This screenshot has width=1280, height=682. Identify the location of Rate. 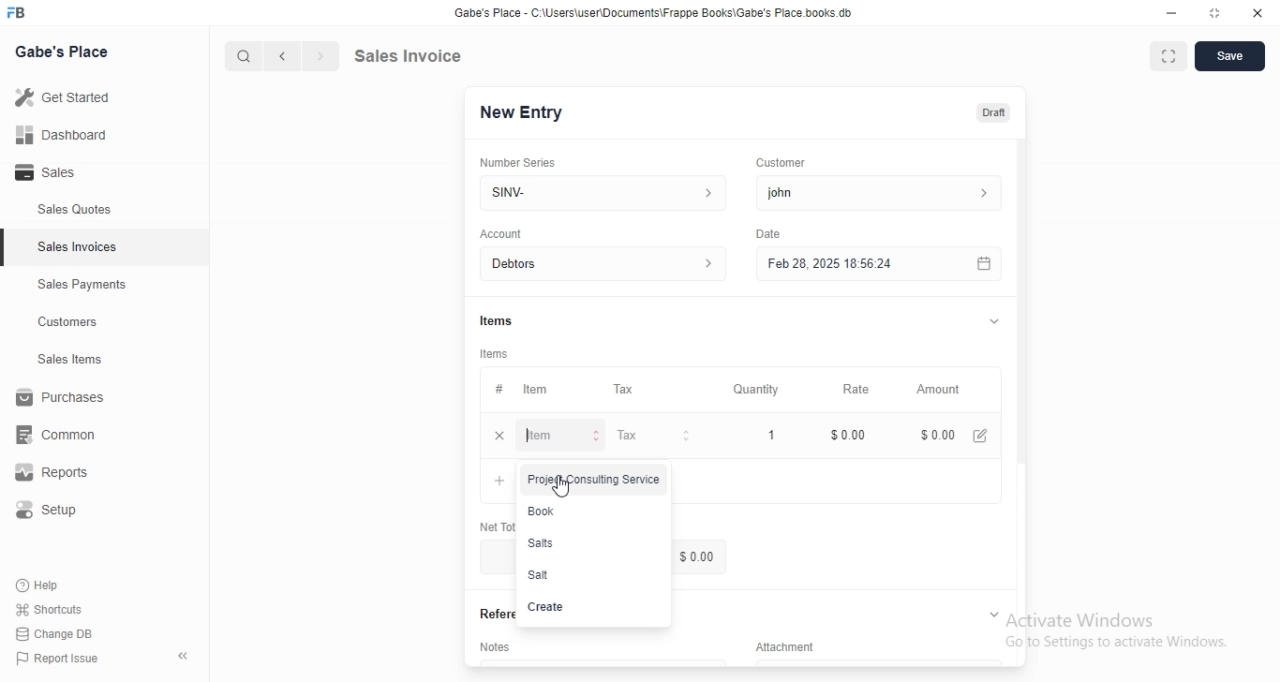
(853, 389).